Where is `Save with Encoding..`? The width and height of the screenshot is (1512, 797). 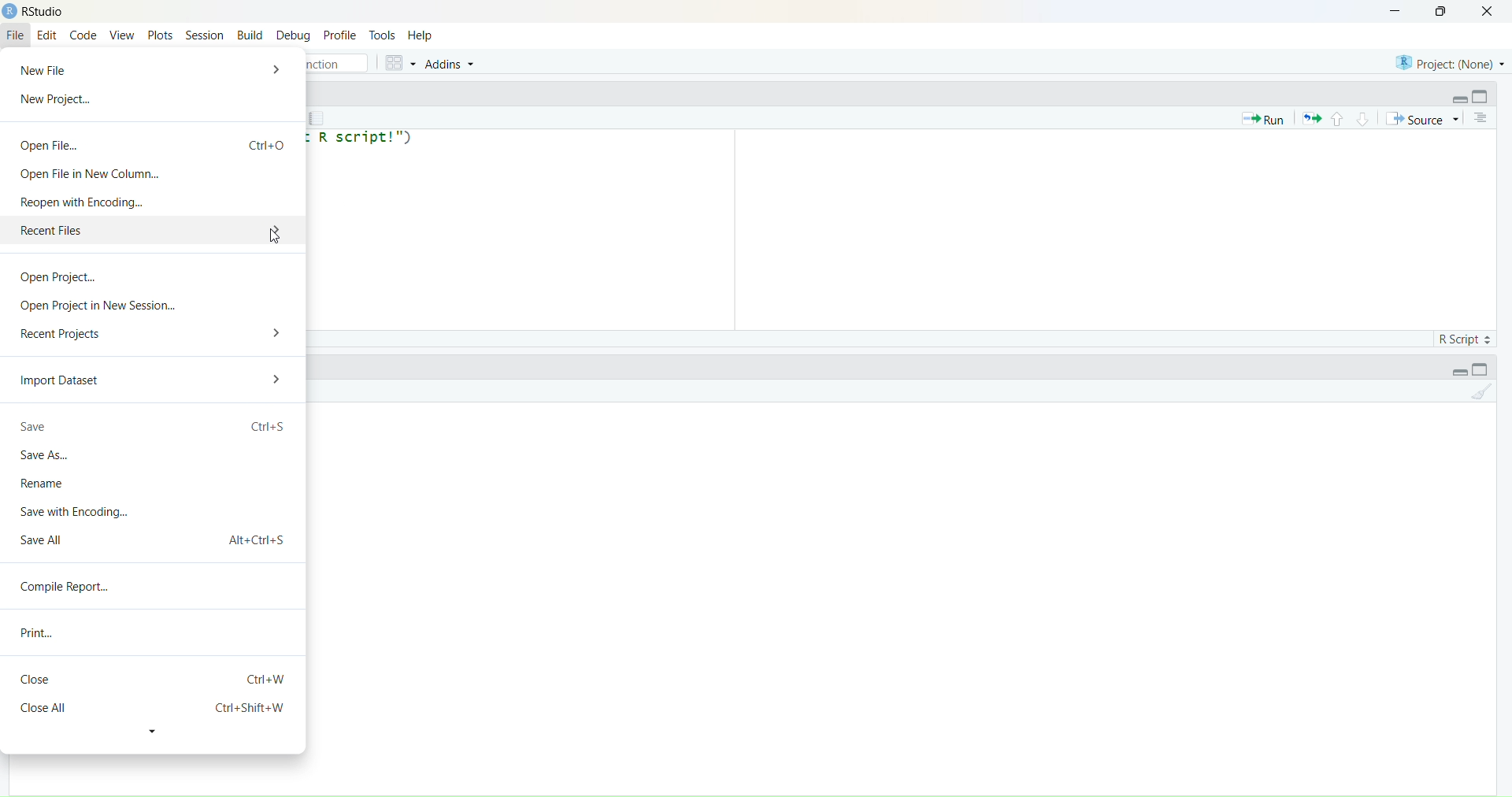 Save with Encoding.. is located at coordinates (74, 510).